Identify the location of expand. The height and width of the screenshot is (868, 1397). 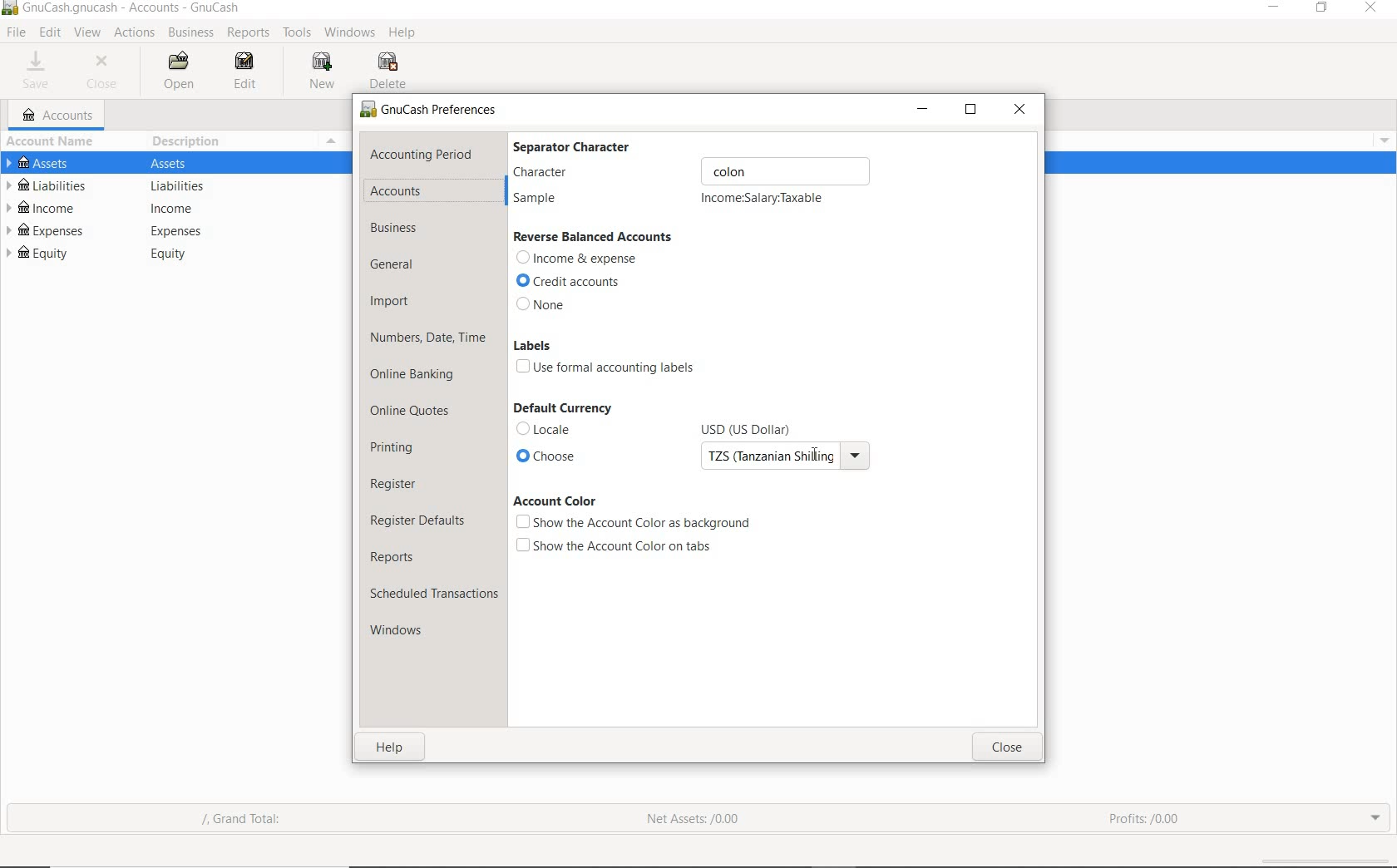
(1376, 818).